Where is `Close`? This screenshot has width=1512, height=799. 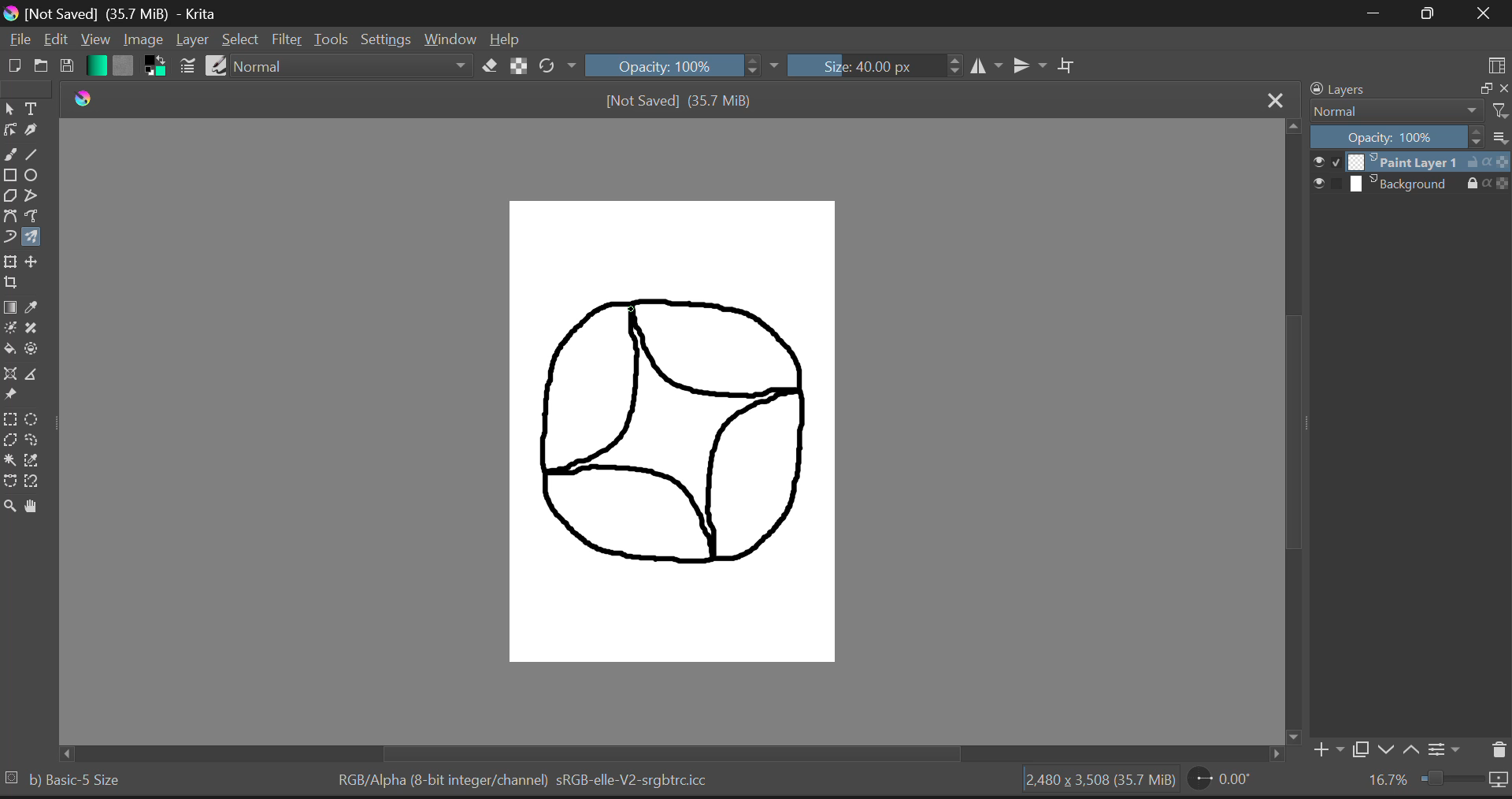 Close is located at coordinates (1484, 15).